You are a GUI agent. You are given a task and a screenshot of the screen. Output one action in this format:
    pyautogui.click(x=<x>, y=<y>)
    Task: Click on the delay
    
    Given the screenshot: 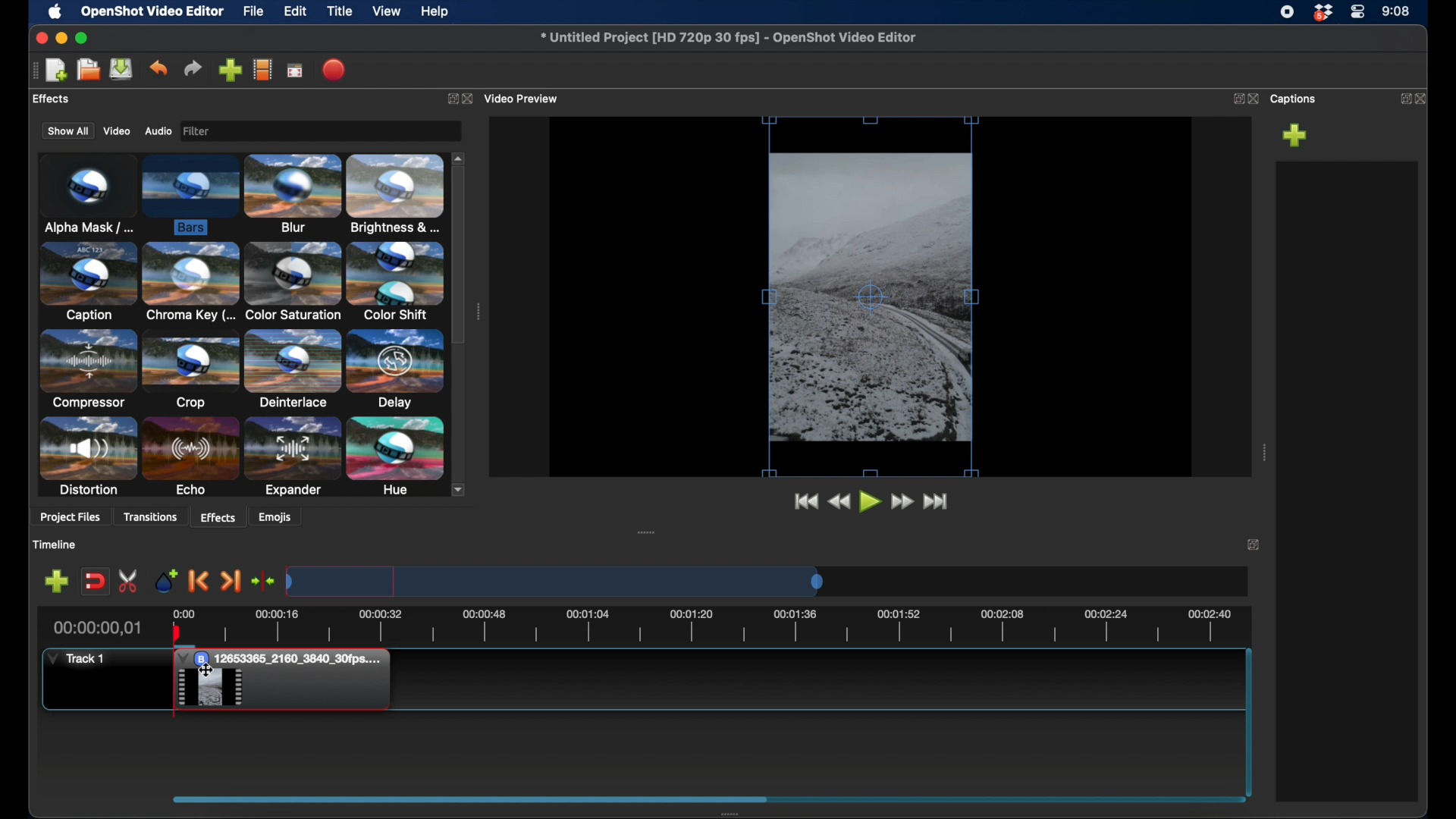 What is the action you would take?
    pyautogui.click(x=394, y=369)
    